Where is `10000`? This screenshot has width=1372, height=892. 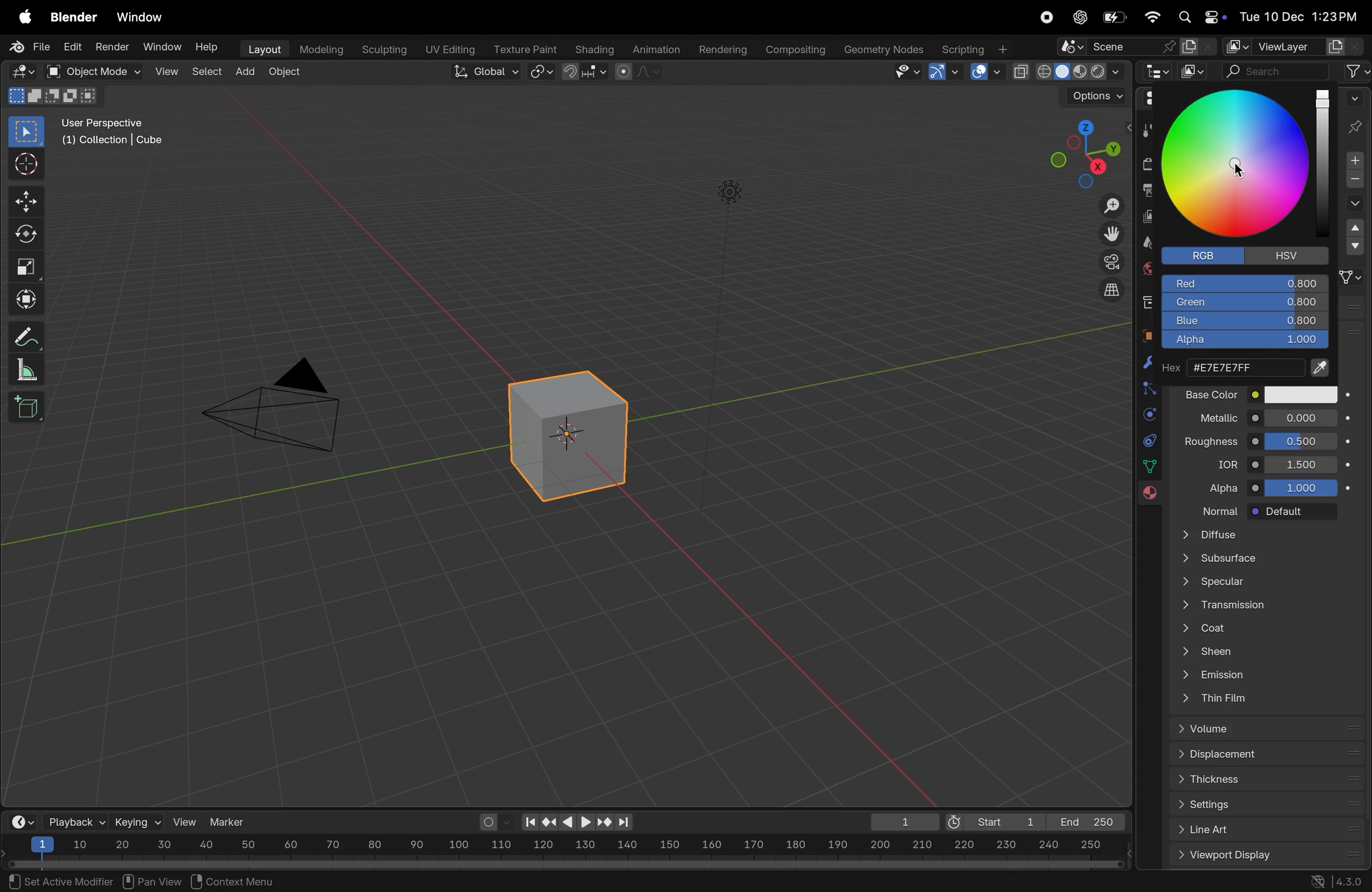
10000 is located at coordinates (1301, 487).